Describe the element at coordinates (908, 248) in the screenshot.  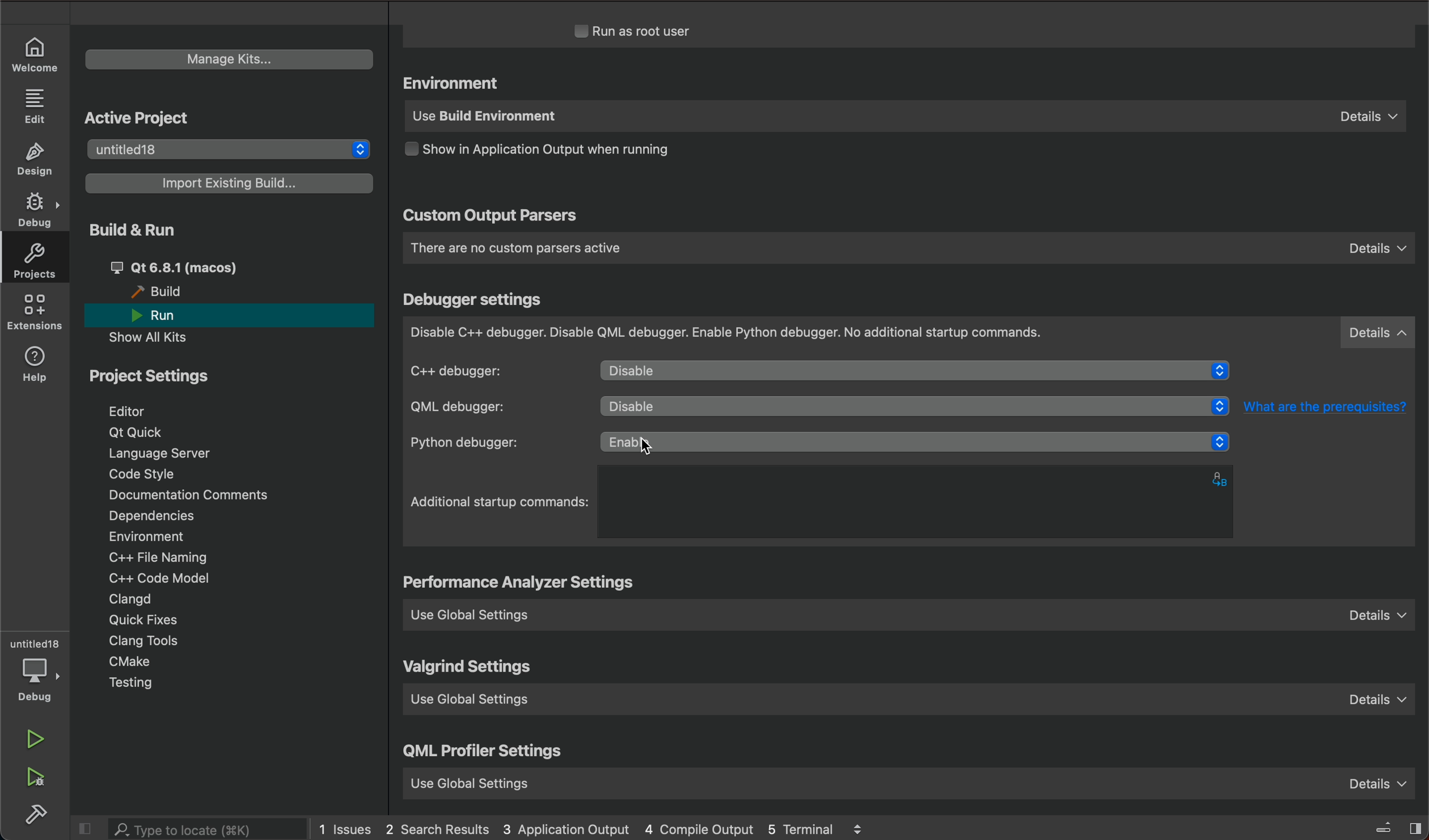
I see `custom parsers` at that location.